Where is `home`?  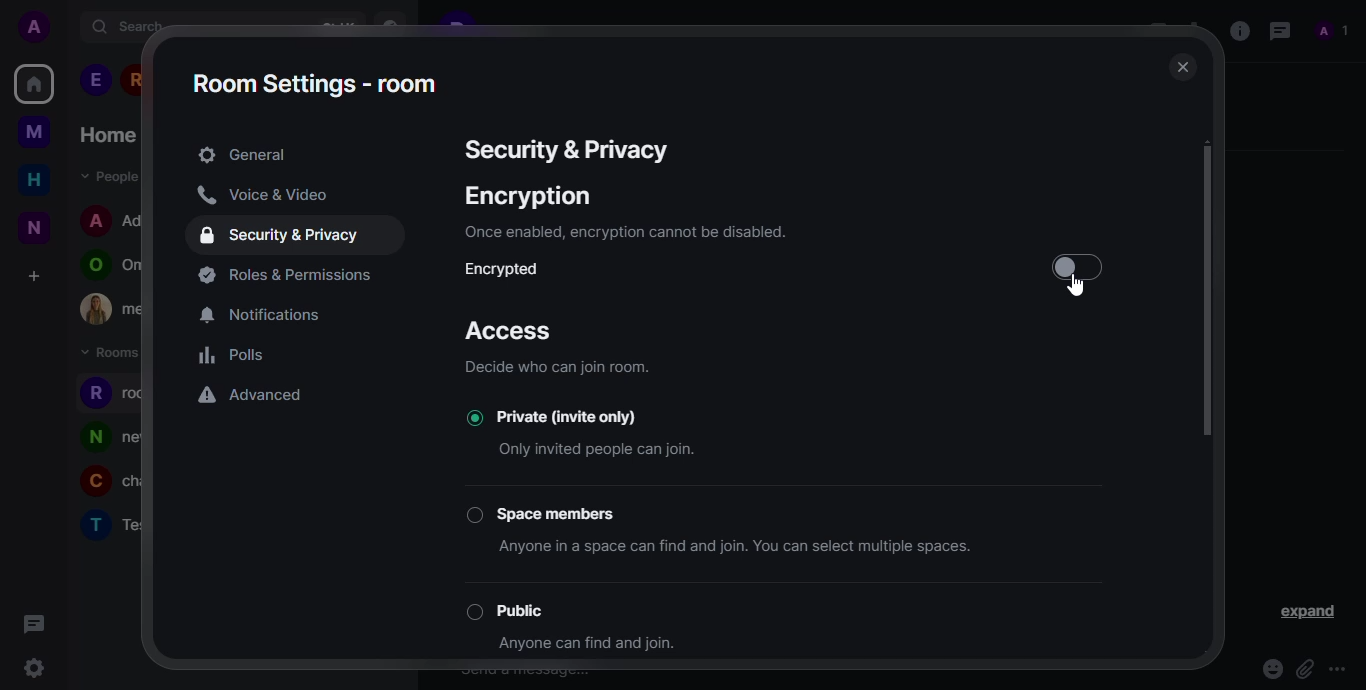
home is located at coordinates (35, 179).